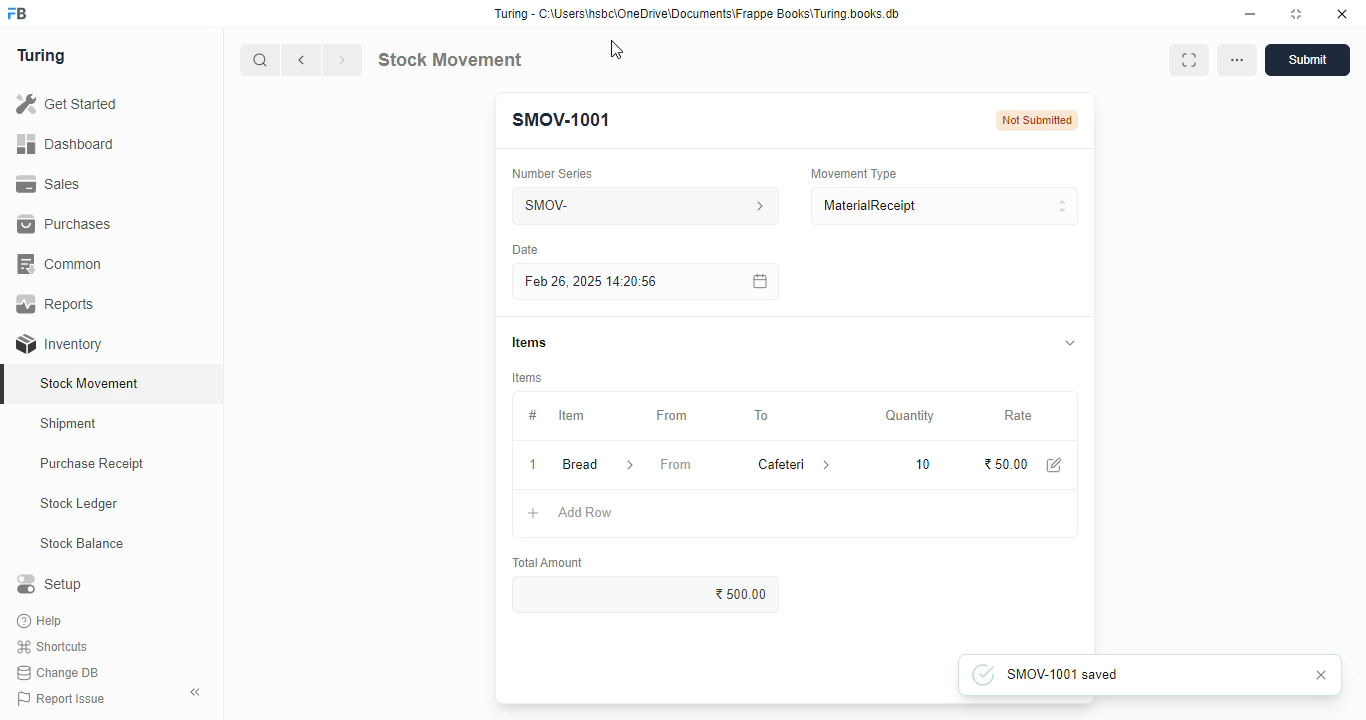  What do you see at coordinates (534, 514) in the screenshot?
I see `add` at bounding box center [534, 514].